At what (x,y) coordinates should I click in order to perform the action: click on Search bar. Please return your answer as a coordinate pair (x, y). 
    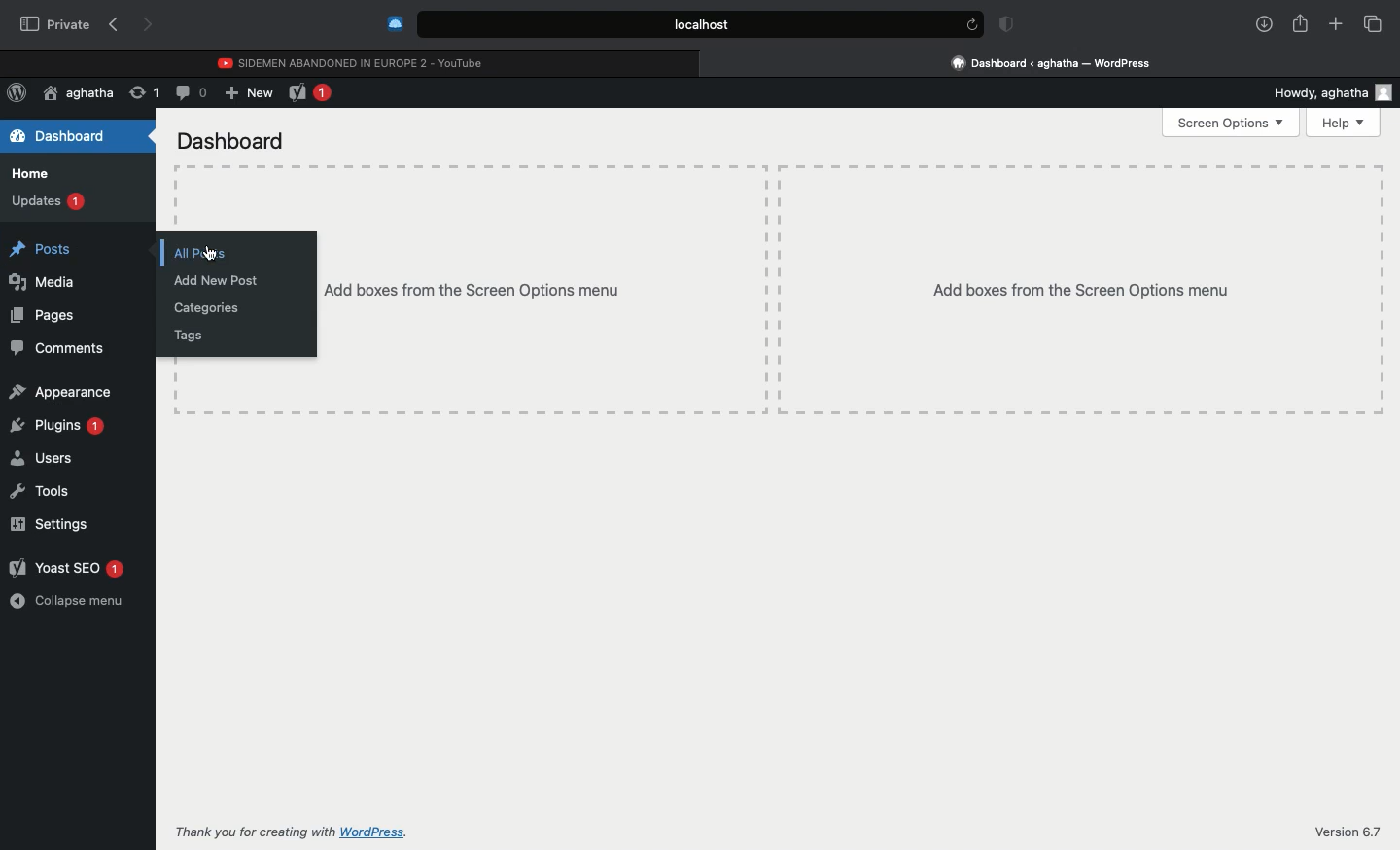
    Looking at the image, I should click on (682, 24).